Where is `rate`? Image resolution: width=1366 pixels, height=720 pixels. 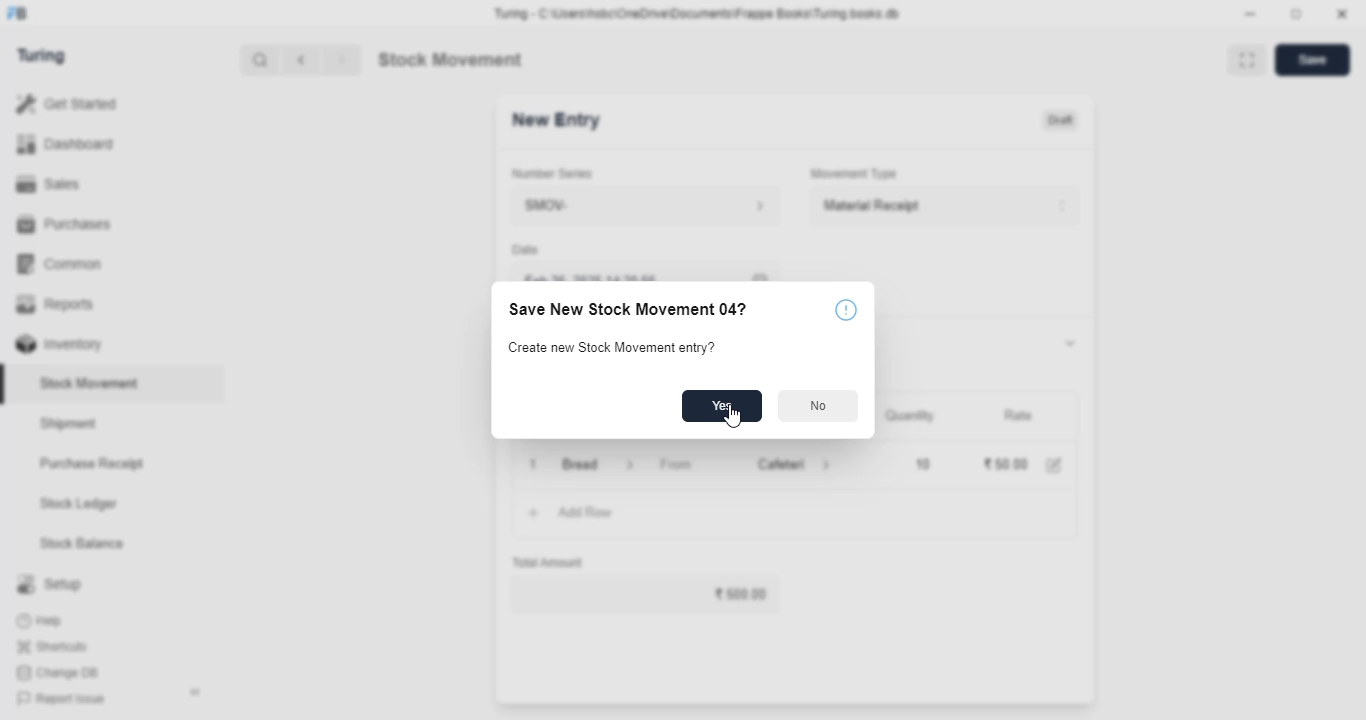 rate is located at coordinates (1019, 416).